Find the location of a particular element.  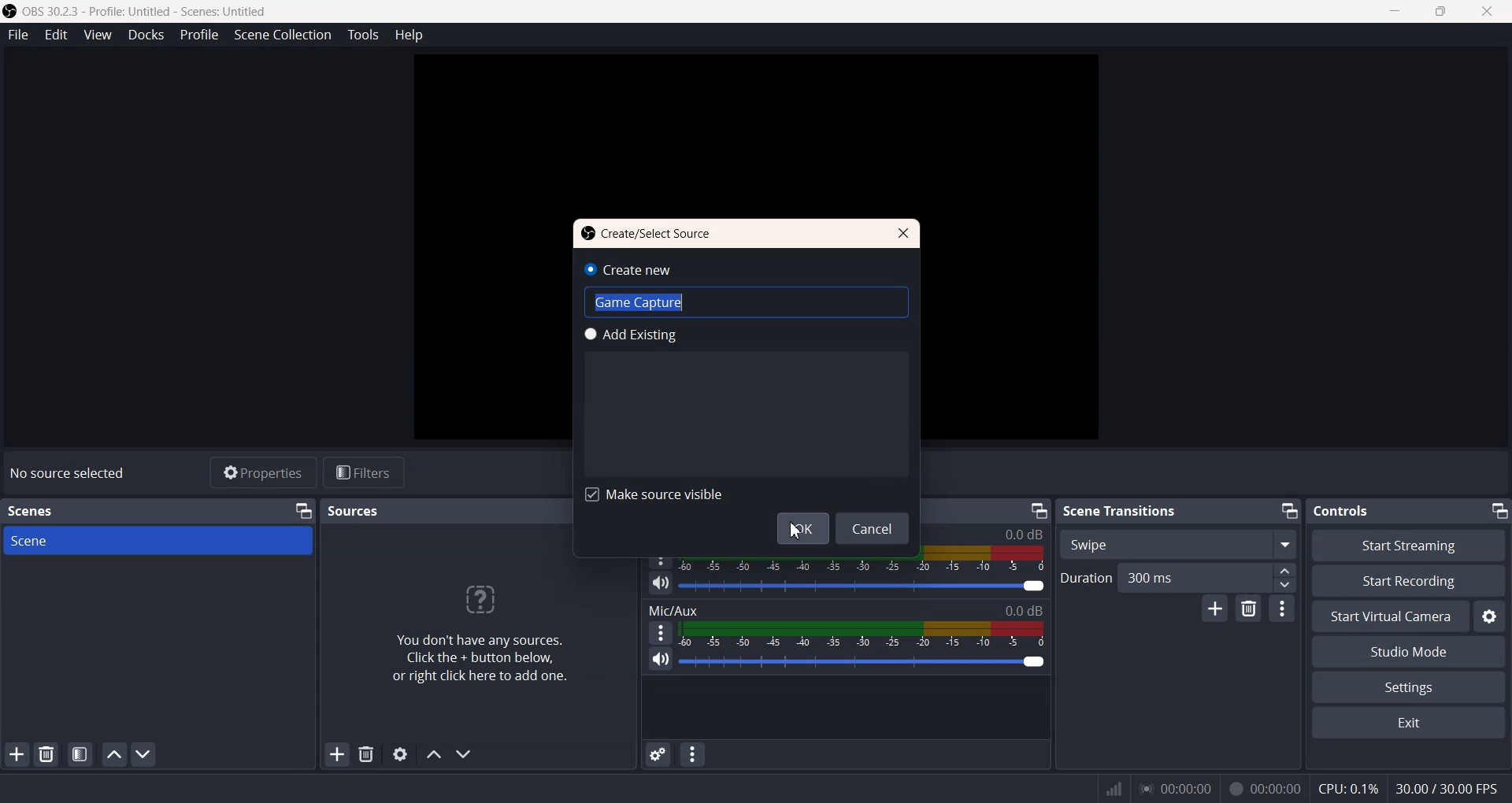

Create new is located at coordinates (628, 269).